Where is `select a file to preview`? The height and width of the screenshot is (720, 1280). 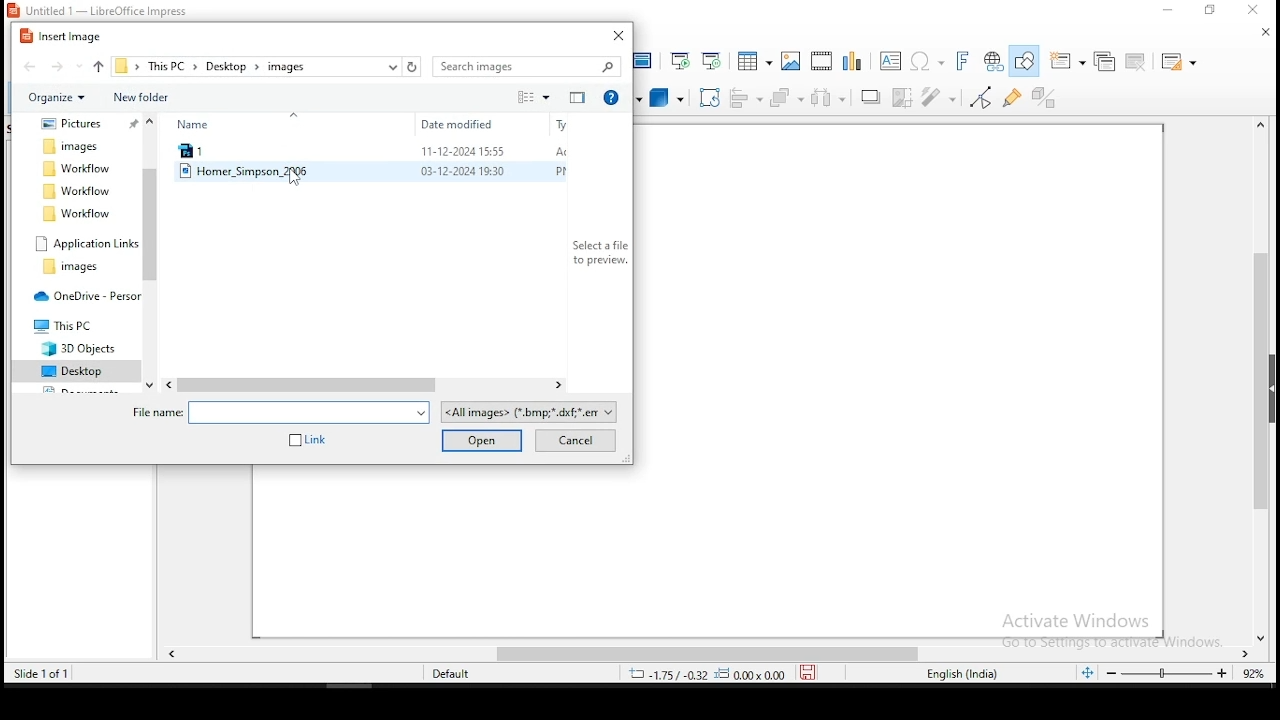
select a file to preview is located at coordinates (597, 253).